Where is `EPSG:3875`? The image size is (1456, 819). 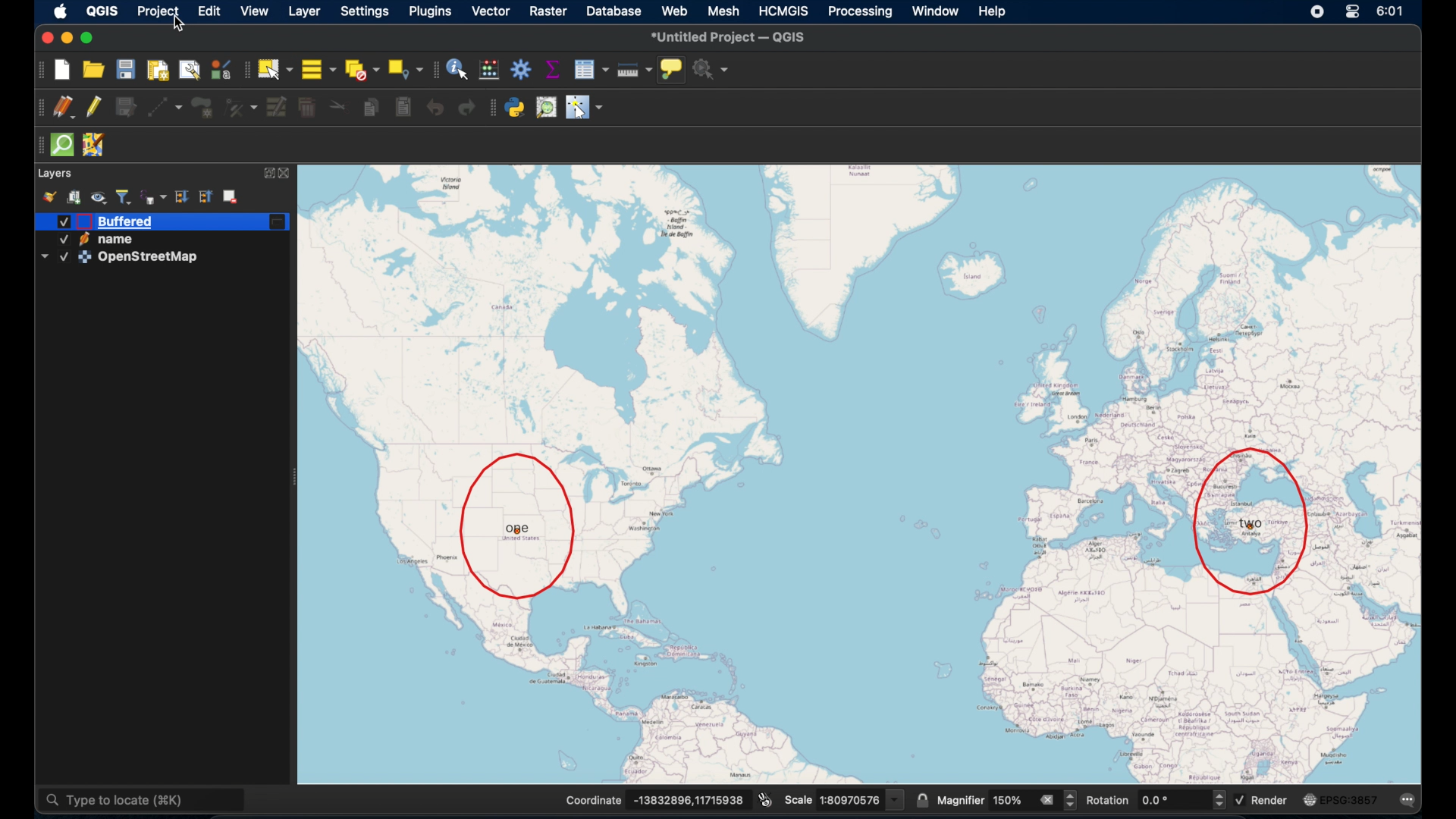 EPSG:3875 is located at coordinates (1351, 800).